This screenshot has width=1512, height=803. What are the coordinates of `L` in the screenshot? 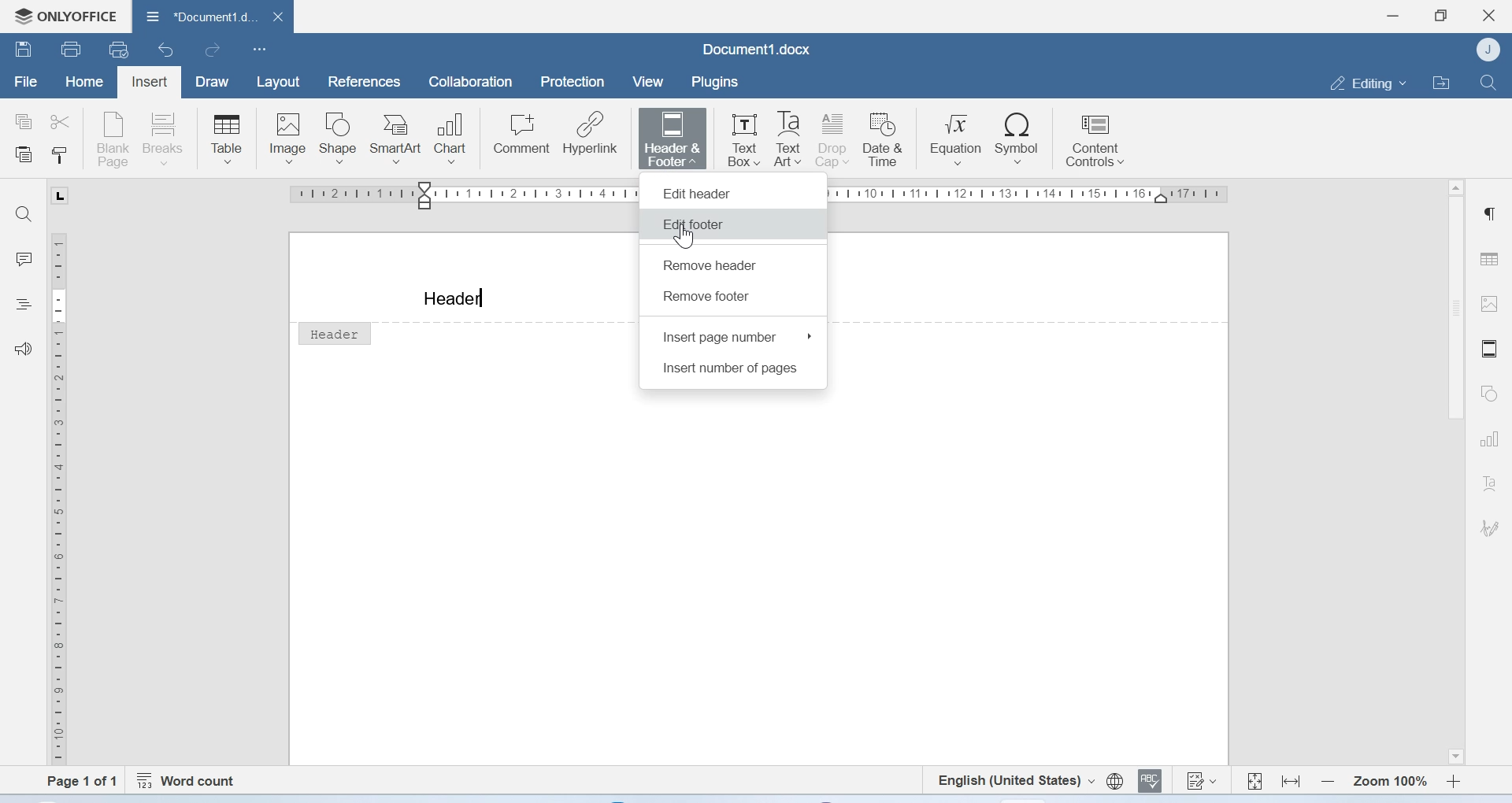 It's located at (58, 195).